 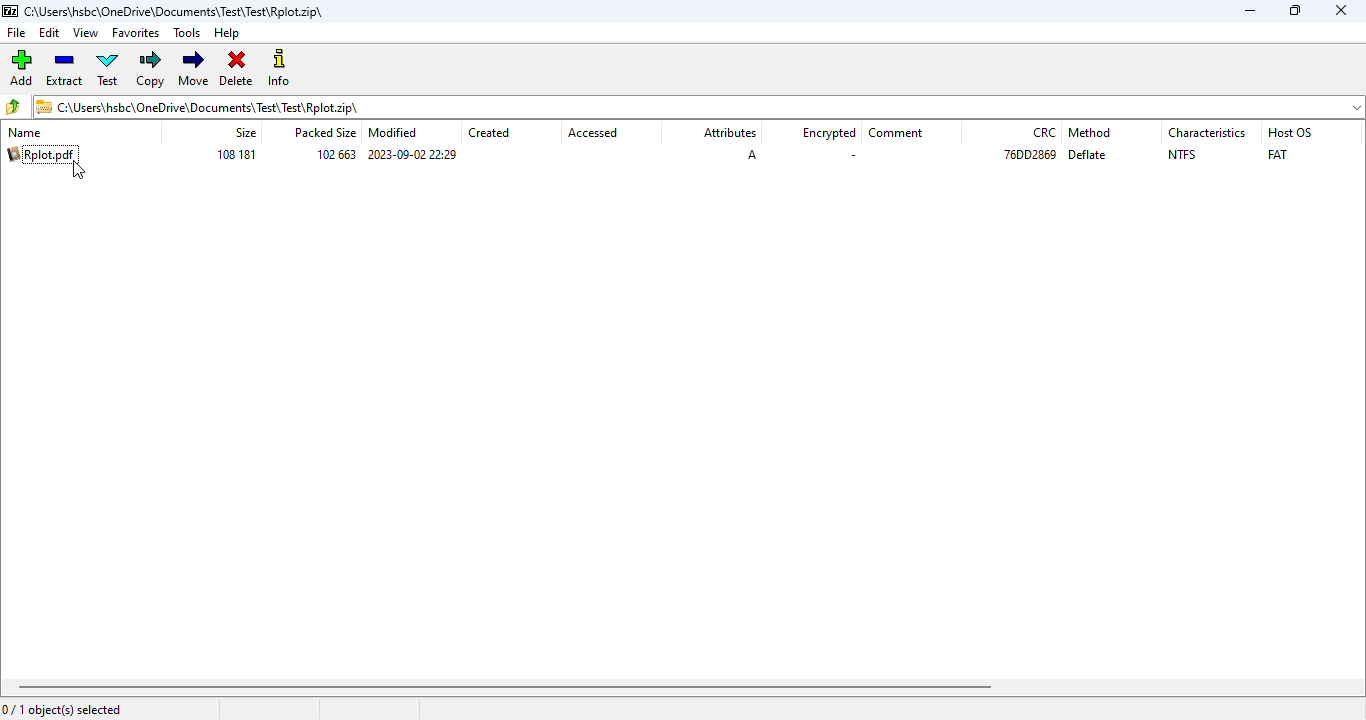 What do you see at coordinates (14, 106) in the screenshot?
I see `Browse folders` at bounding box center [14, 106].